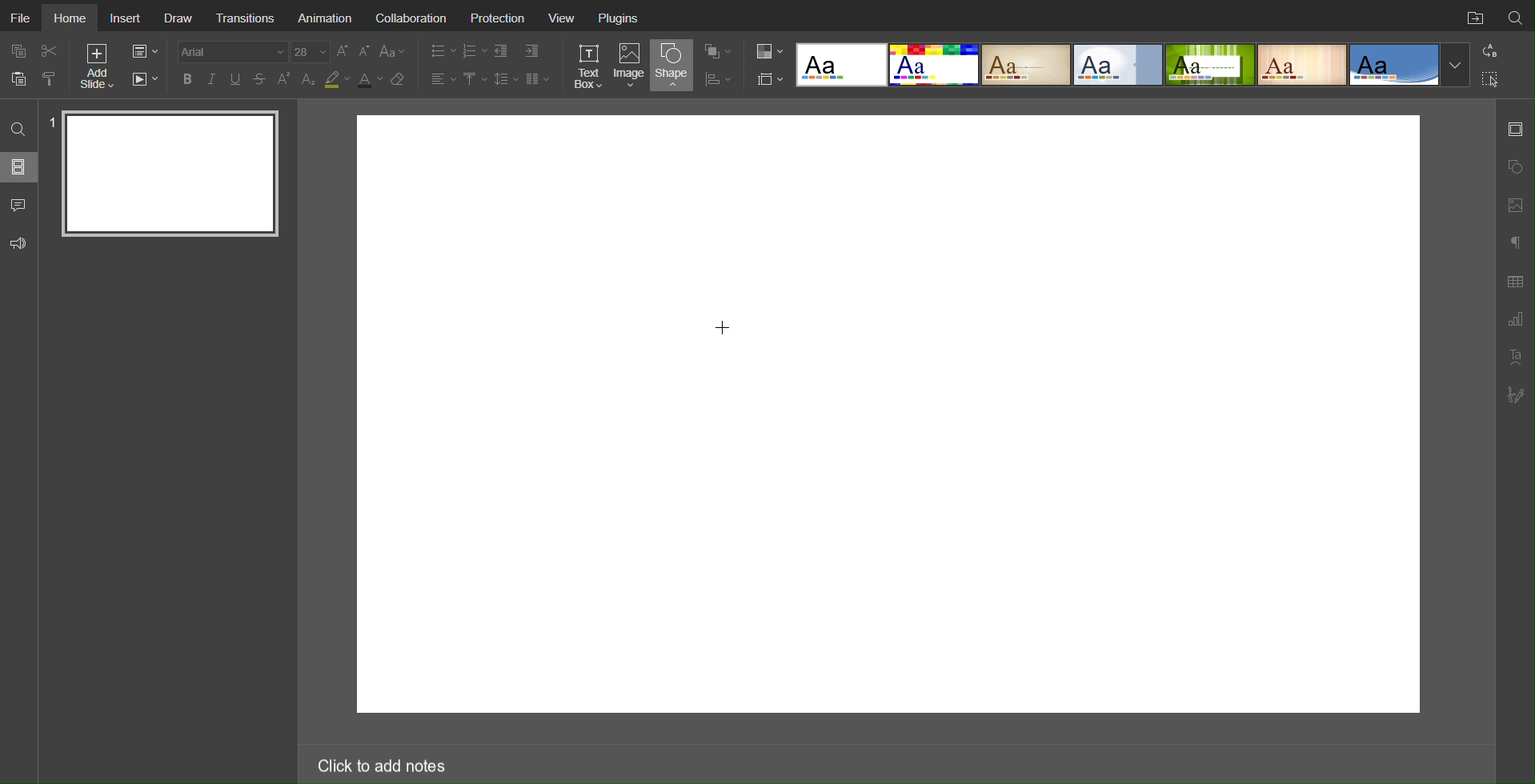 The image size is (1535, 784). What do you see at coordinates (411, 18) in the screenshot?
I see `Collaboration` at bounding box center [411, 18].